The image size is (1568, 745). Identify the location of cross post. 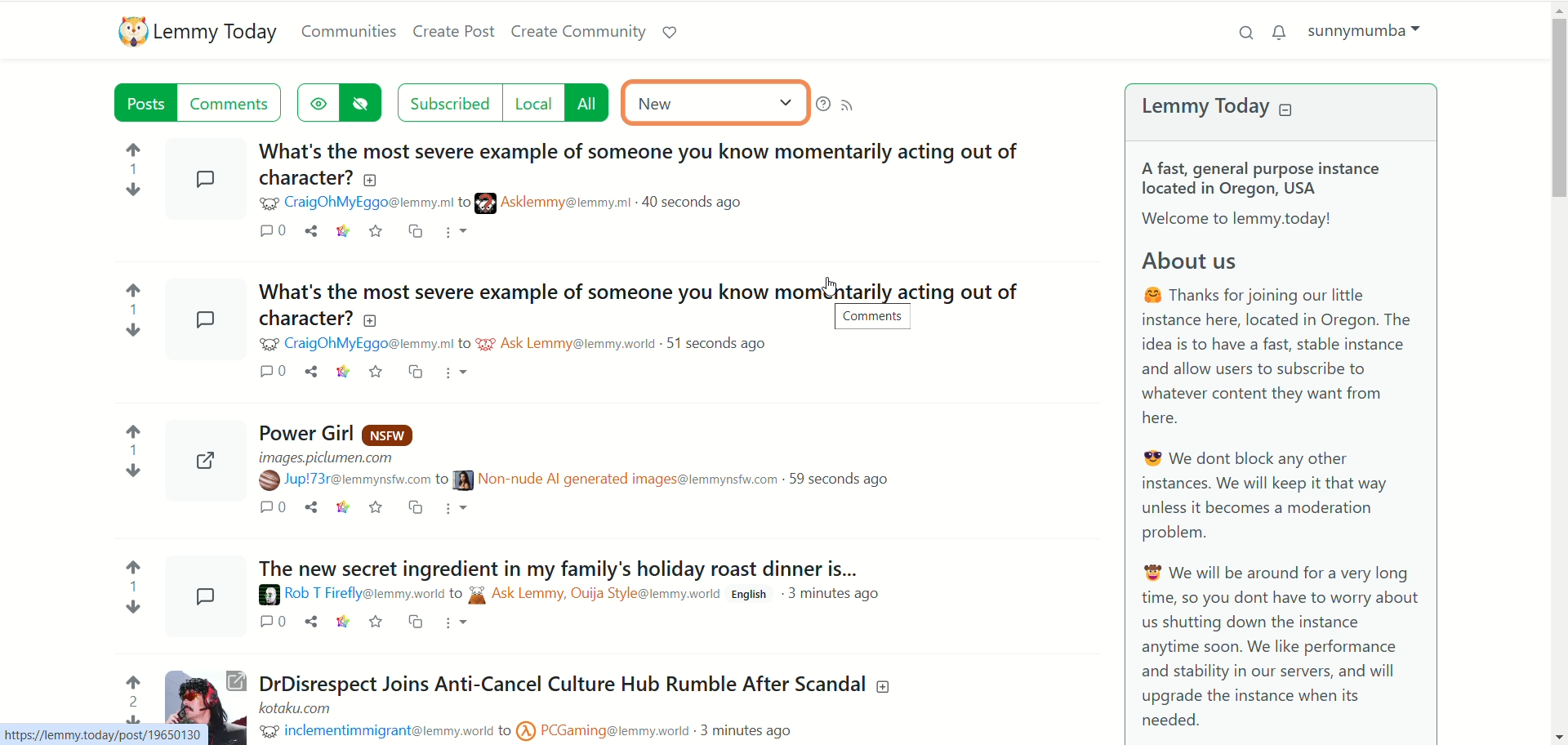
(418, 229).